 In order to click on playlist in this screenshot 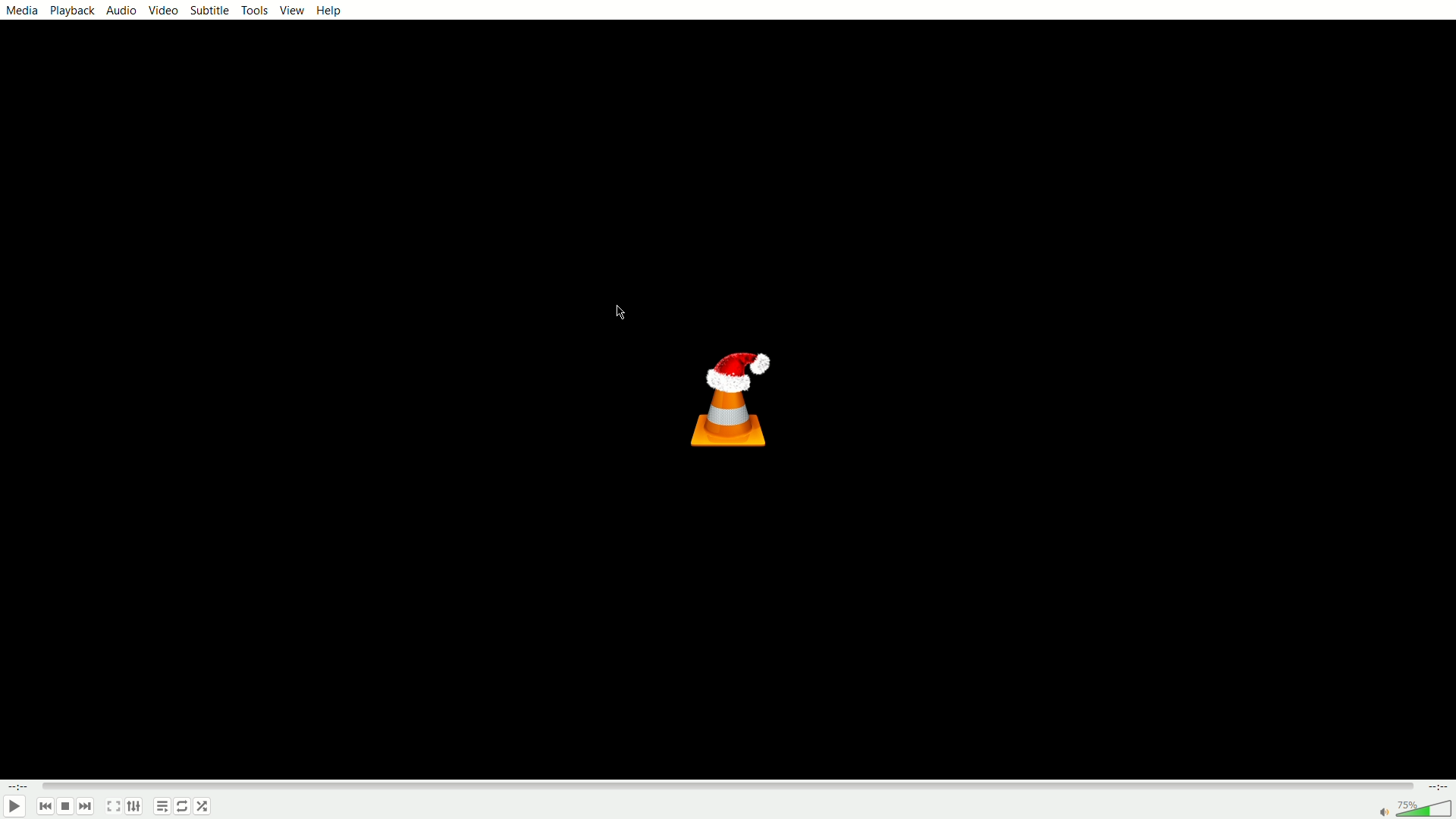, I will do `click(162, 805)`.